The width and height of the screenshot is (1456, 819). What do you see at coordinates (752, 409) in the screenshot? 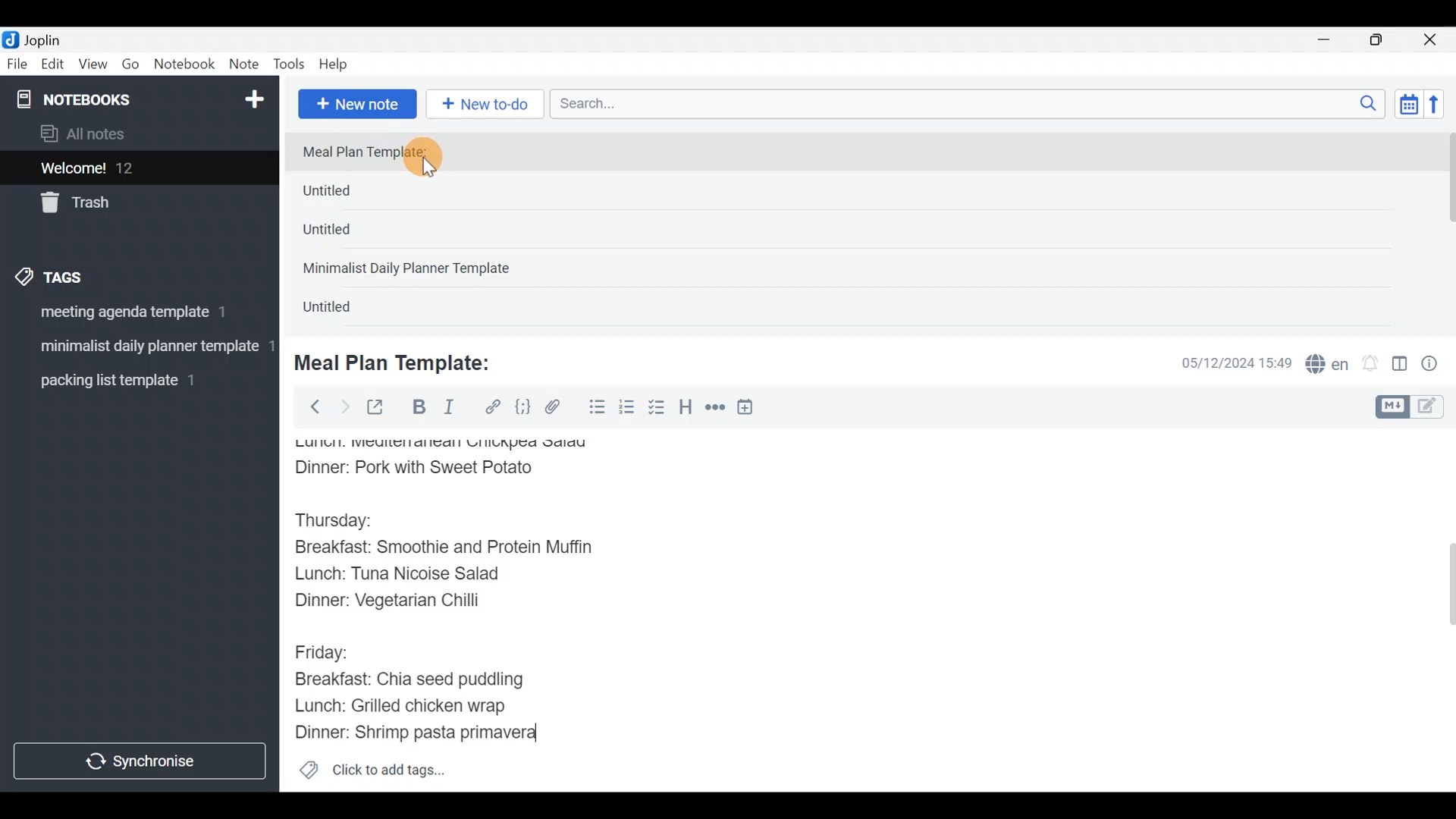
I see `Insert time` at bounding box center [752, 409].